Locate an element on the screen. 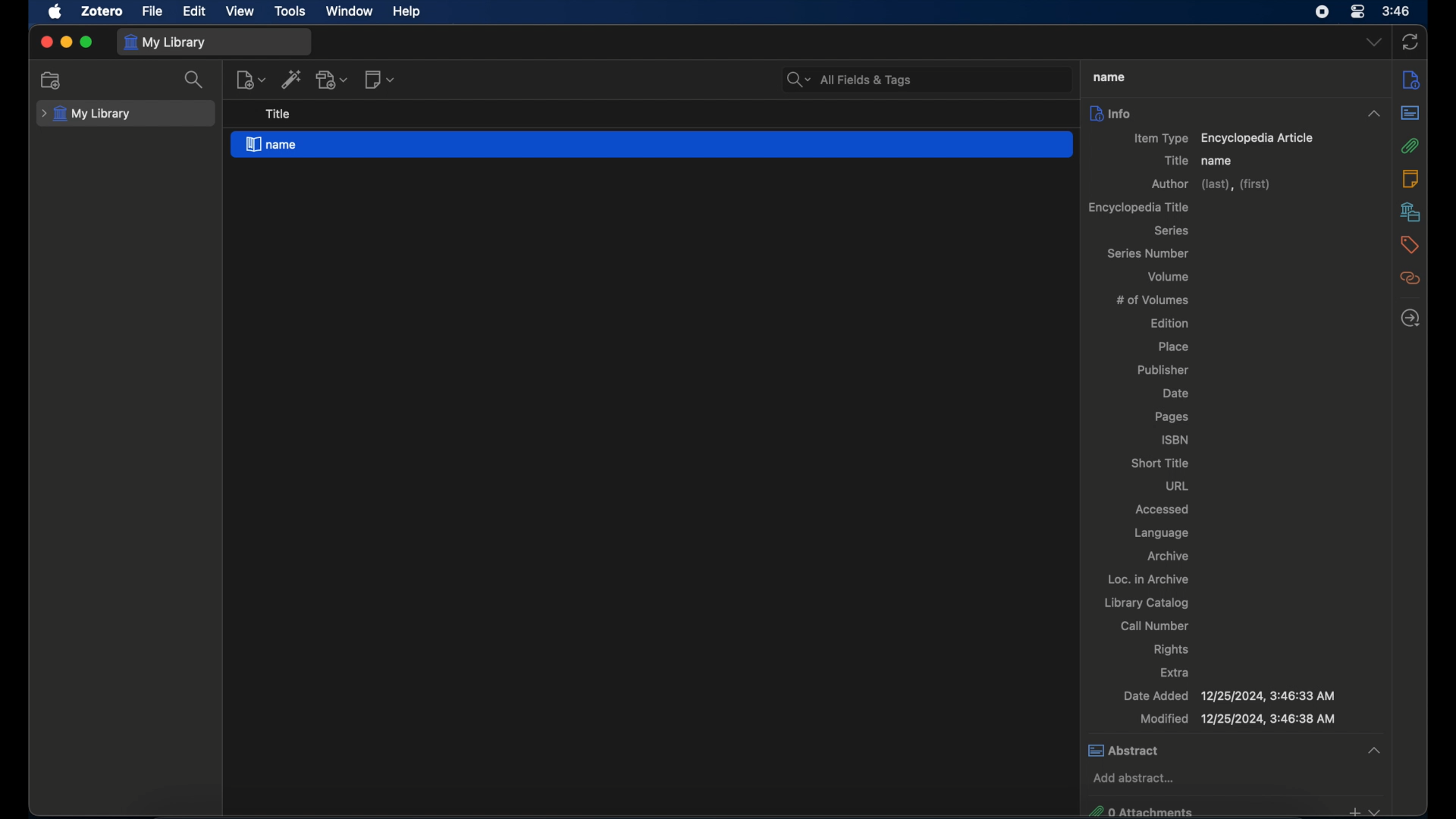 The width and height of the screenshot is (1456, 819). dropdown is located at coordinates (1374, 42).